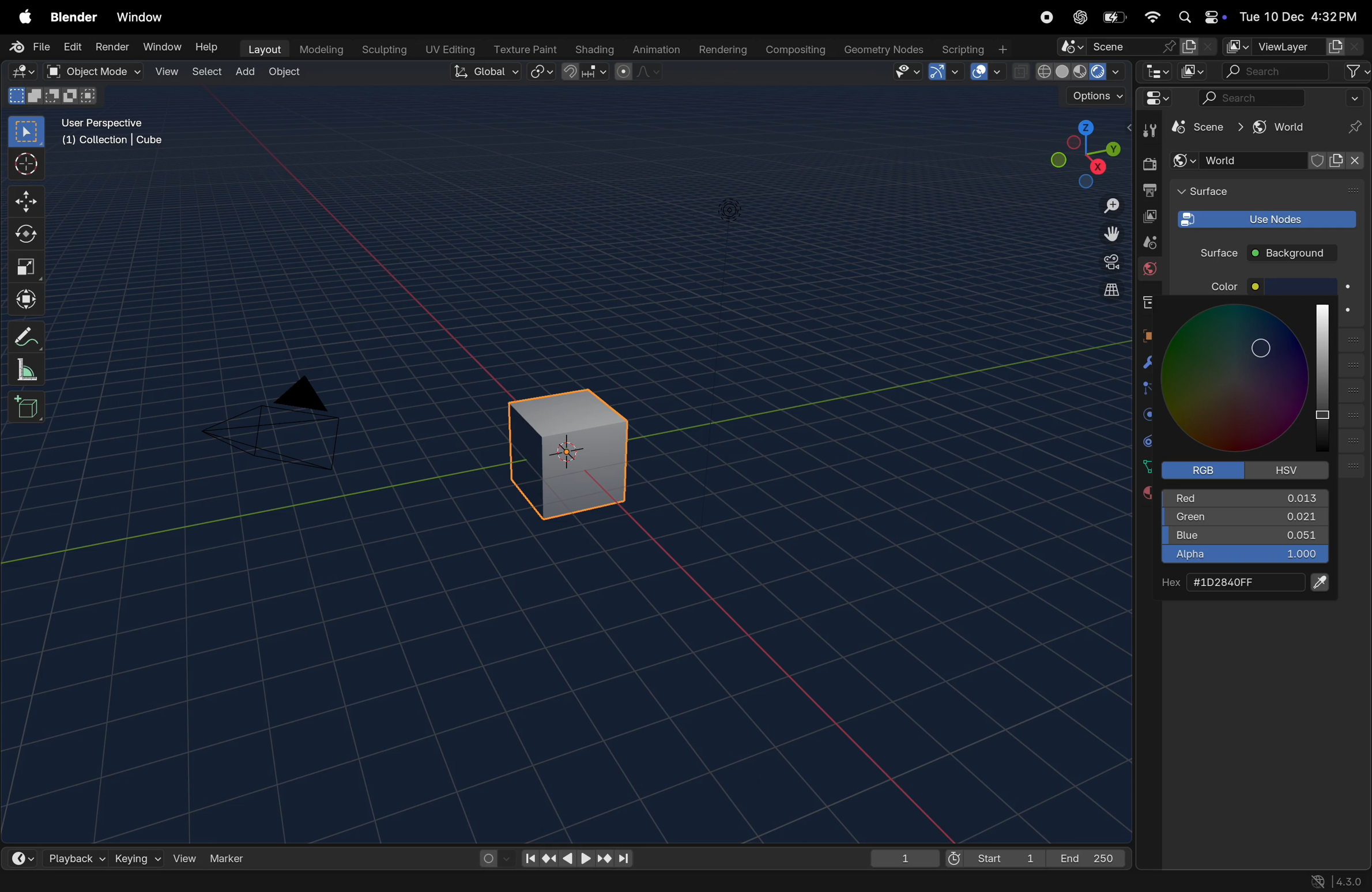 The height and width of the screenshot is (892, 1372). Describe the element at coordinates (1253, 379) in the screenshot. I see `color wheel` at that location.